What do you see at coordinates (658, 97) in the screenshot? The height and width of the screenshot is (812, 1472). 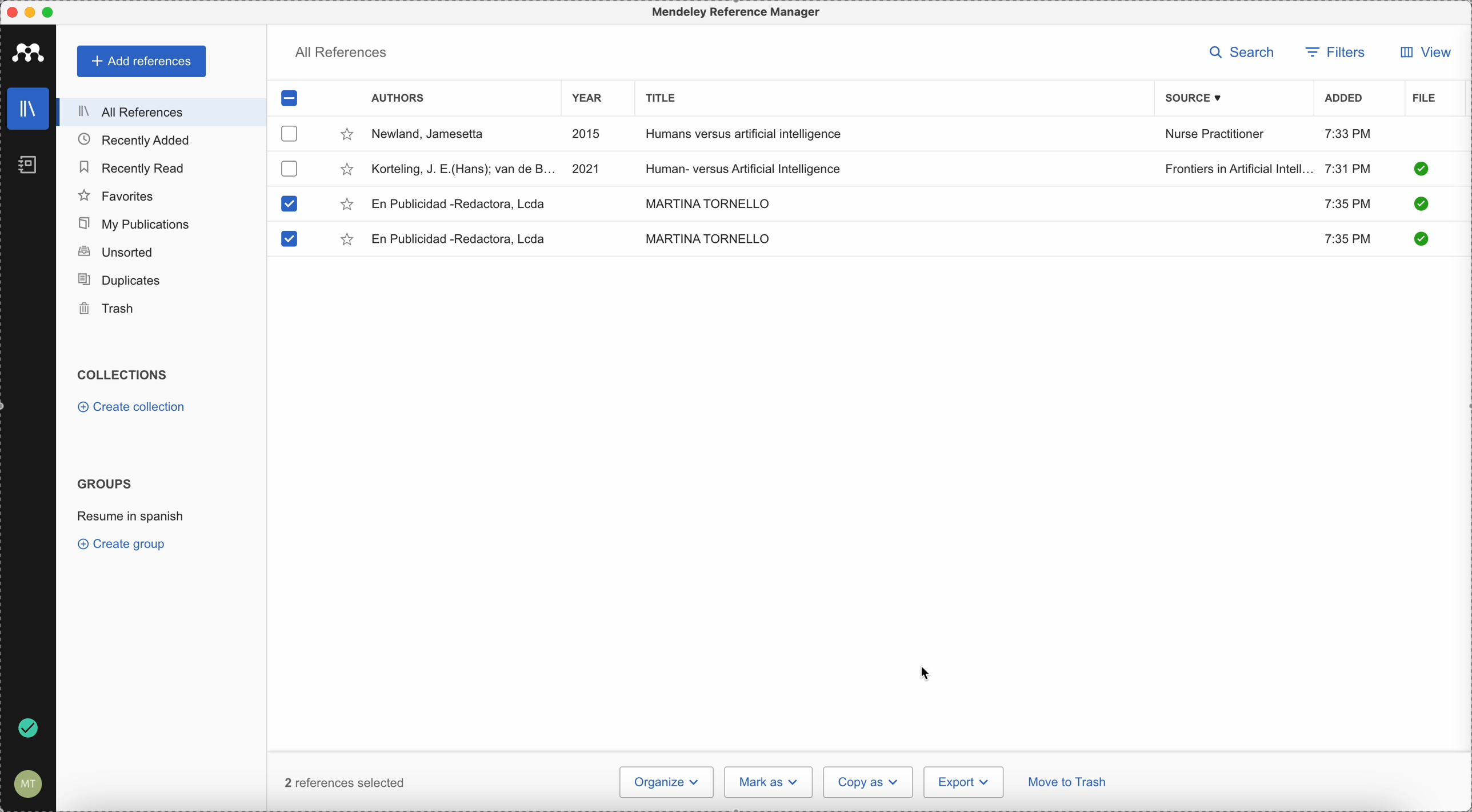 I see `title` at bounding box center [658, 97].